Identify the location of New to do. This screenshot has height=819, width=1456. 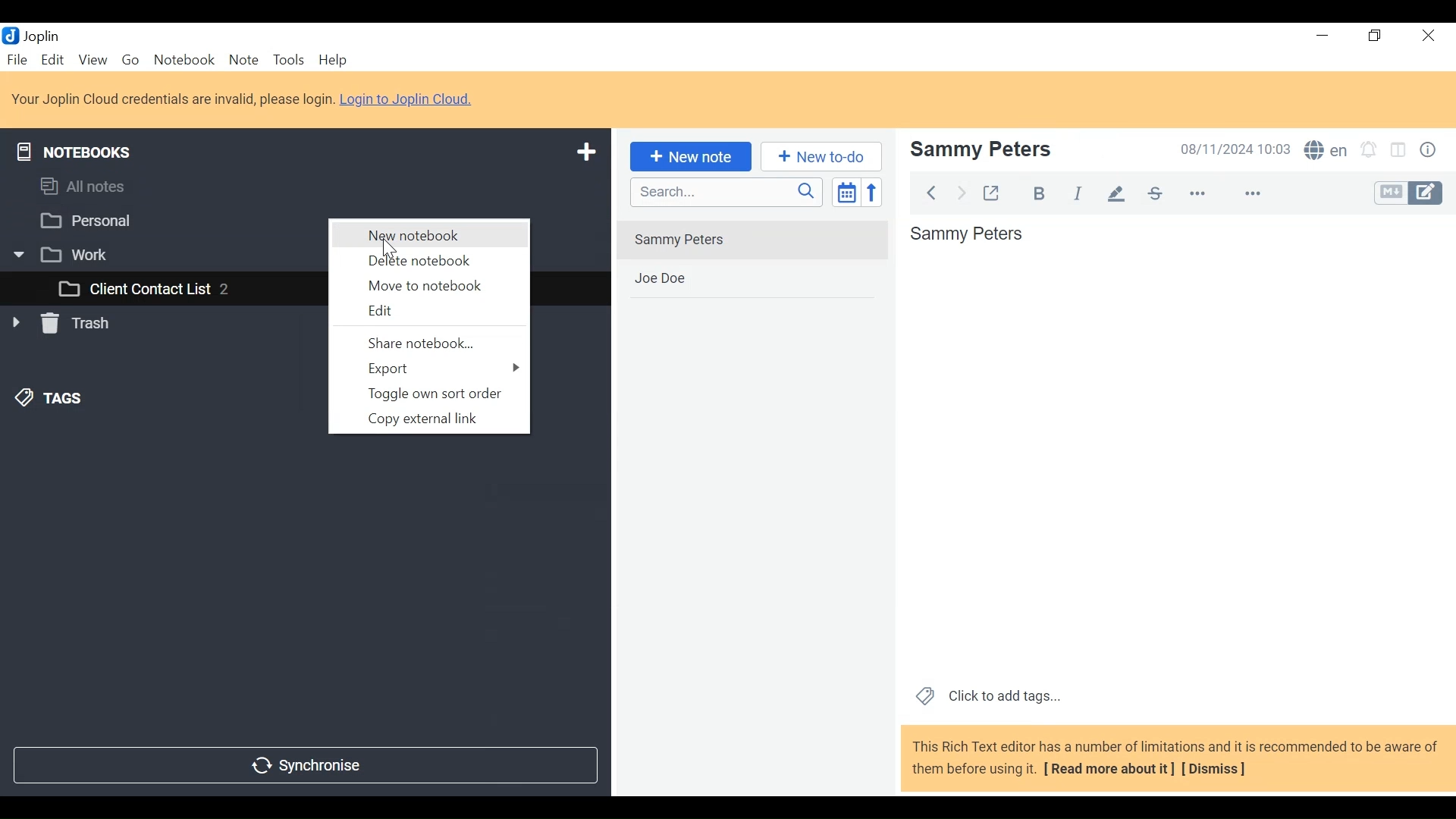
(818, 157).